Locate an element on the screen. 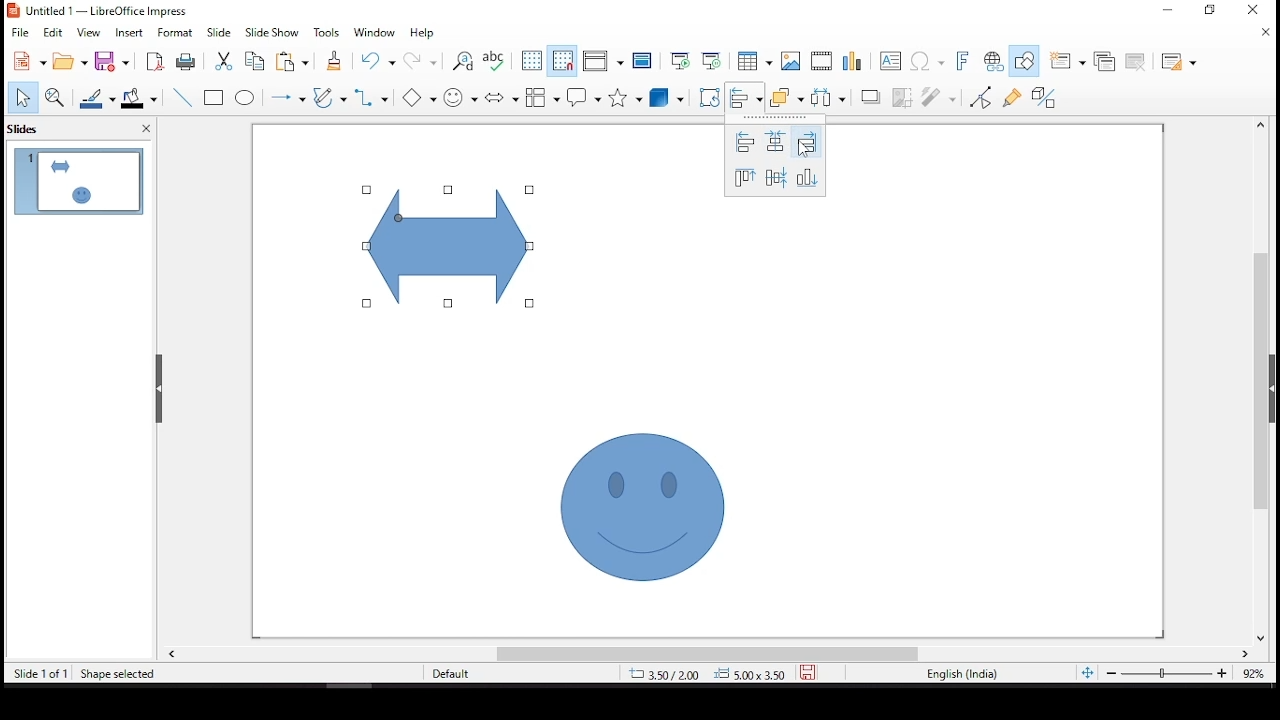 Image resolution: width=1280 pixels, height=720 pixels. display views is located at coordinates (603, 61).